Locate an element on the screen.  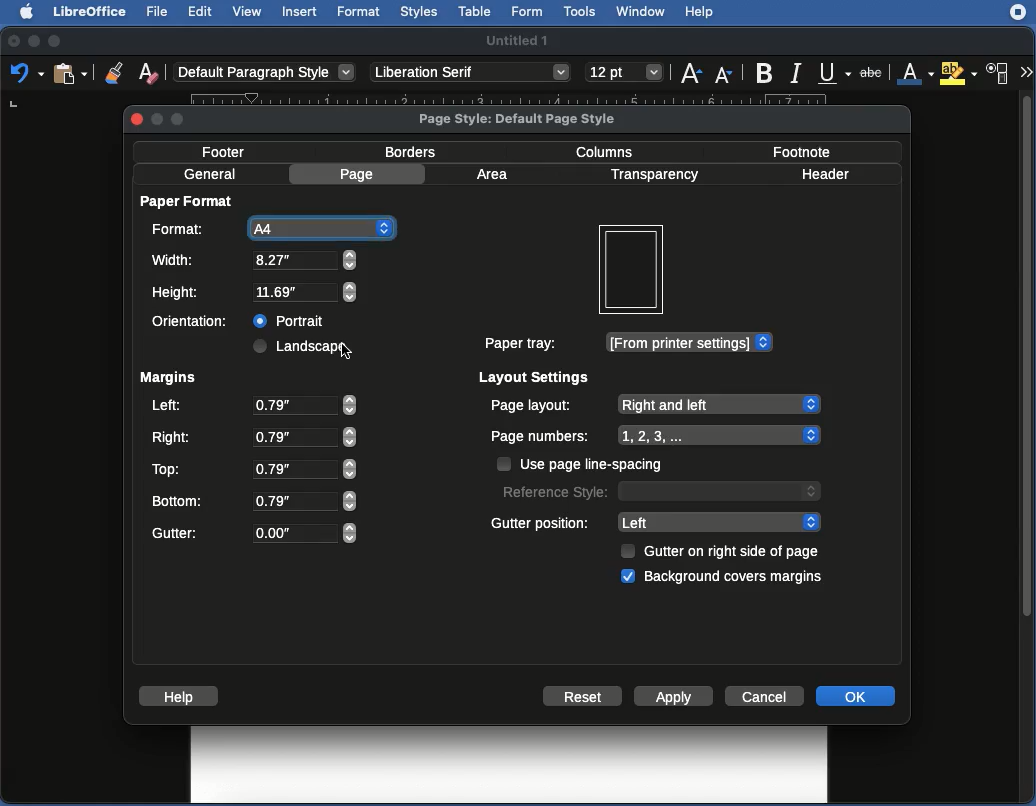
Window is located at coordinates (644, 12).